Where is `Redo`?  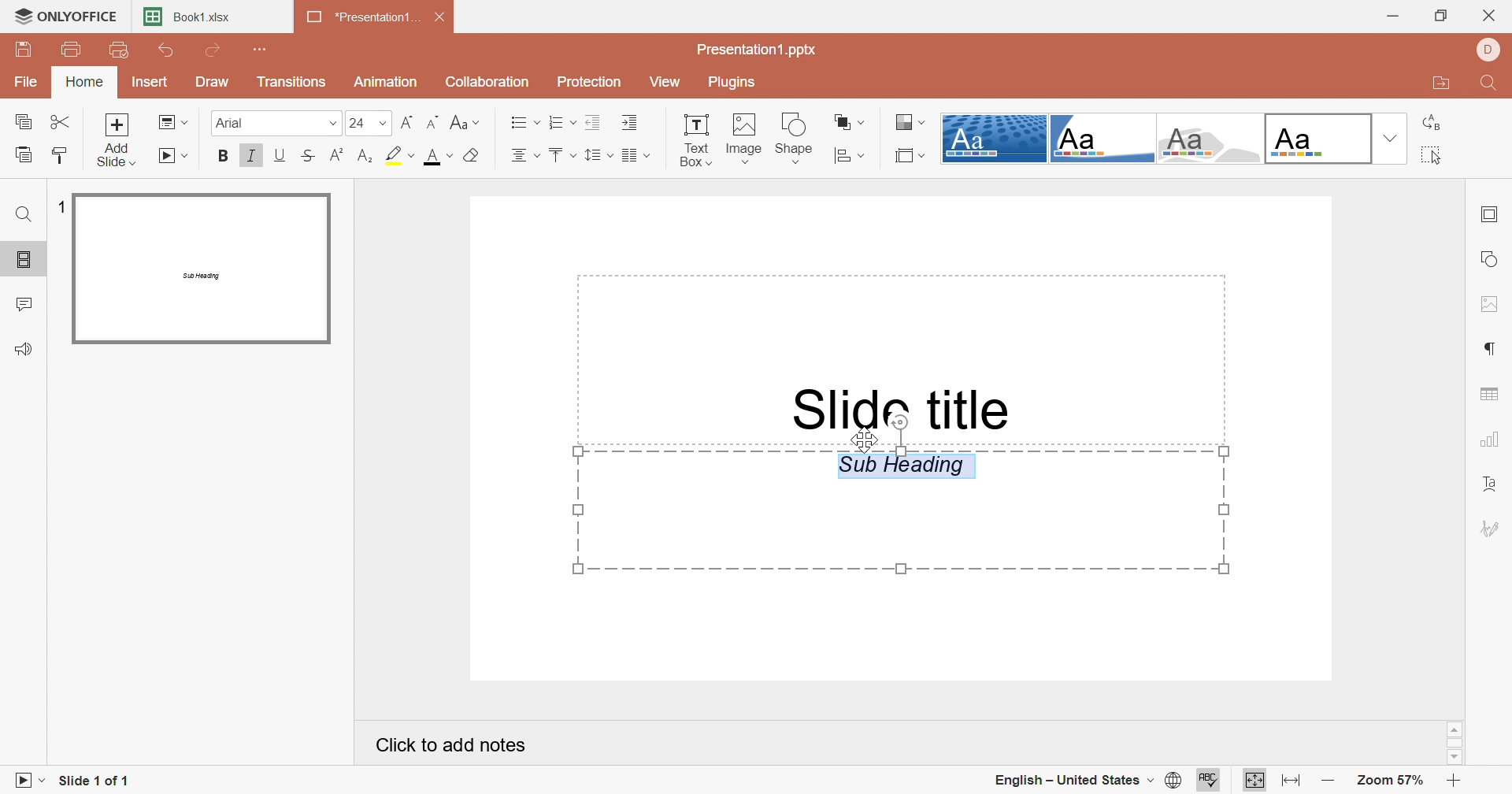
Redo is located at coordinates (216, 50).